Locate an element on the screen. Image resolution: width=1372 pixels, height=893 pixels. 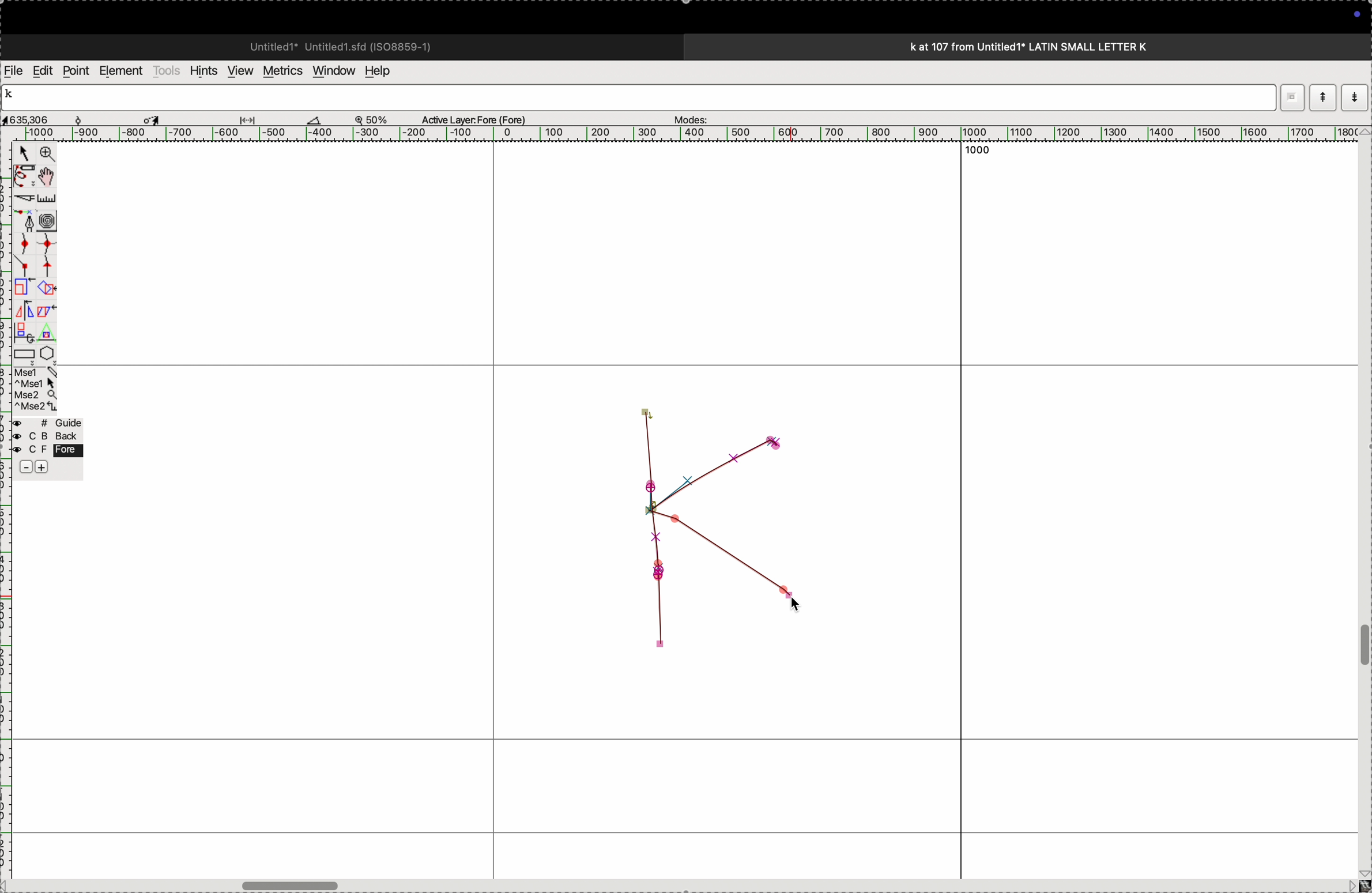
cut is located at coordinates (314, 119).